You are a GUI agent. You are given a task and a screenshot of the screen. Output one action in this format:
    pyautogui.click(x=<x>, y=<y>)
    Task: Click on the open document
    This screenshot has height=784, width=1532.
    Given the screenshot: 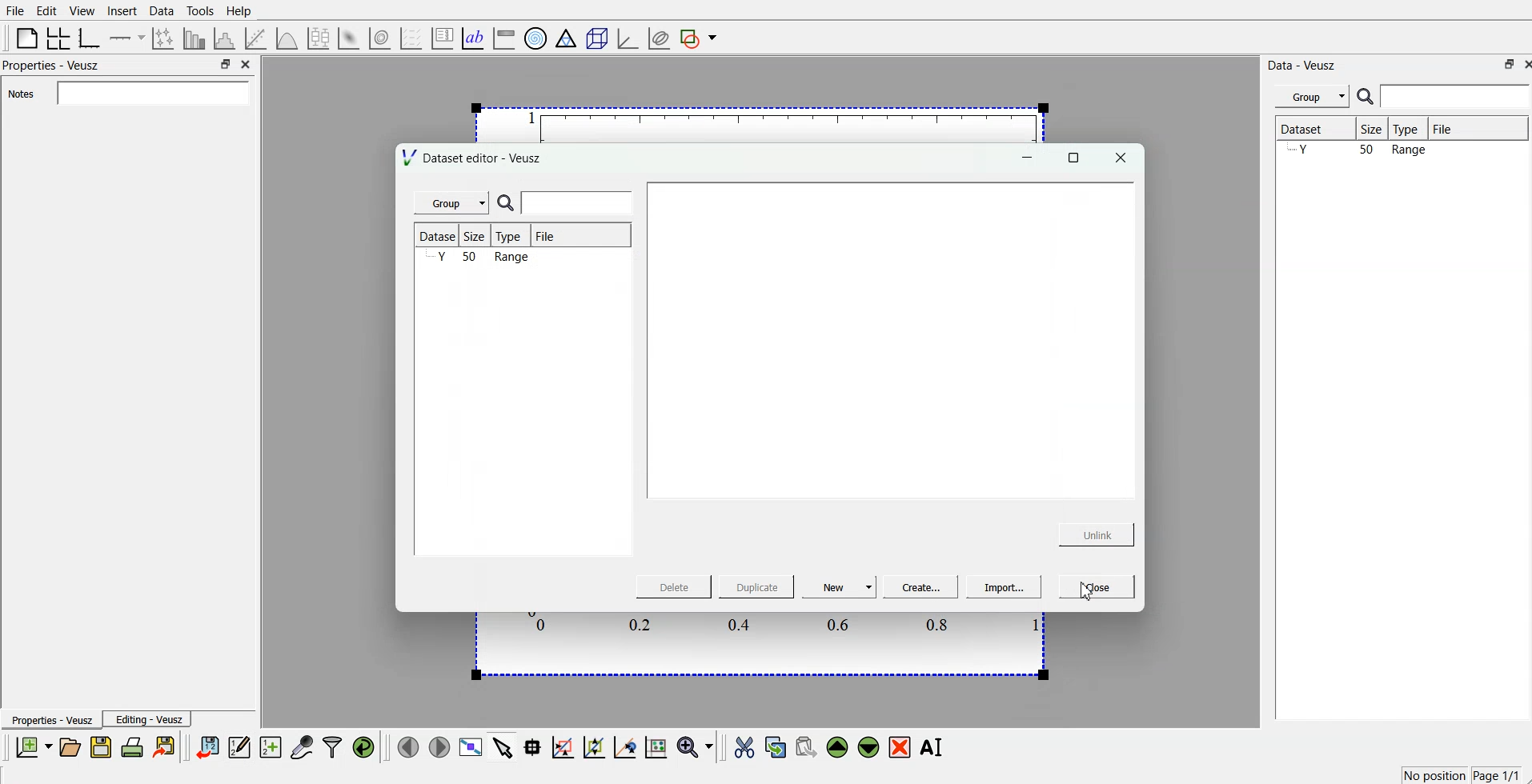 What is the action you would take?
    pyautogui.click(x=72, y=748)
    